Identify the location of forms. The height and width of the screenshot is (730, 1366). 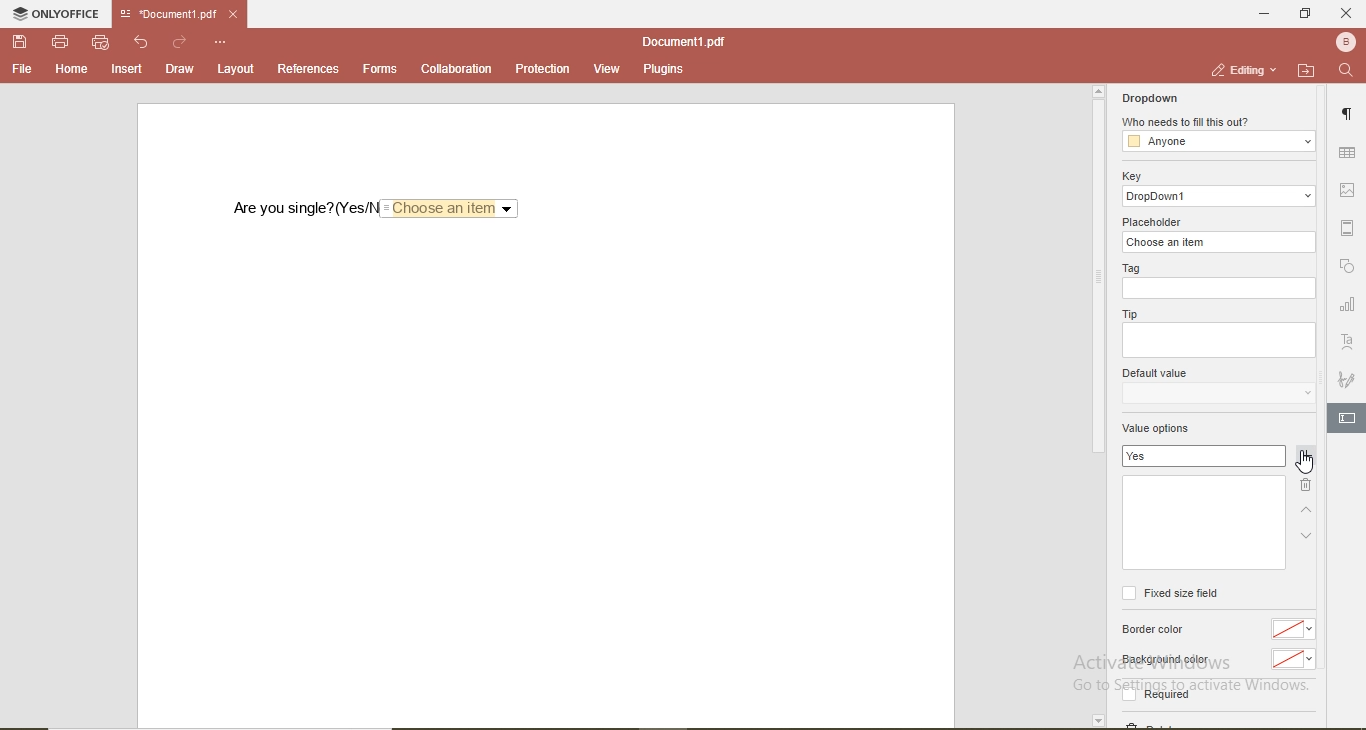
(379, 69).